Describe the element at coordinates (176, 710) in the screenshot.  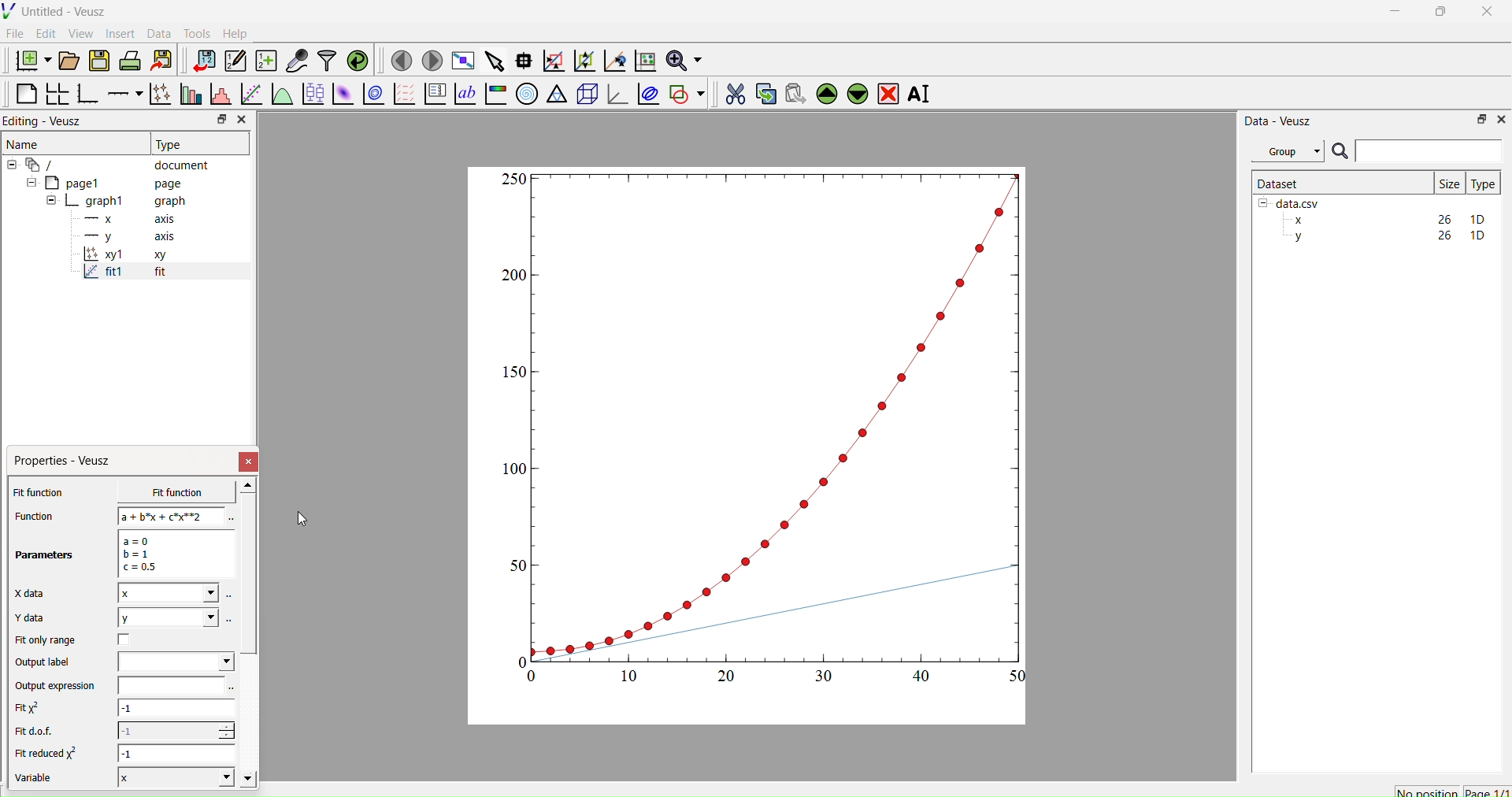
I see `-1` at that location.